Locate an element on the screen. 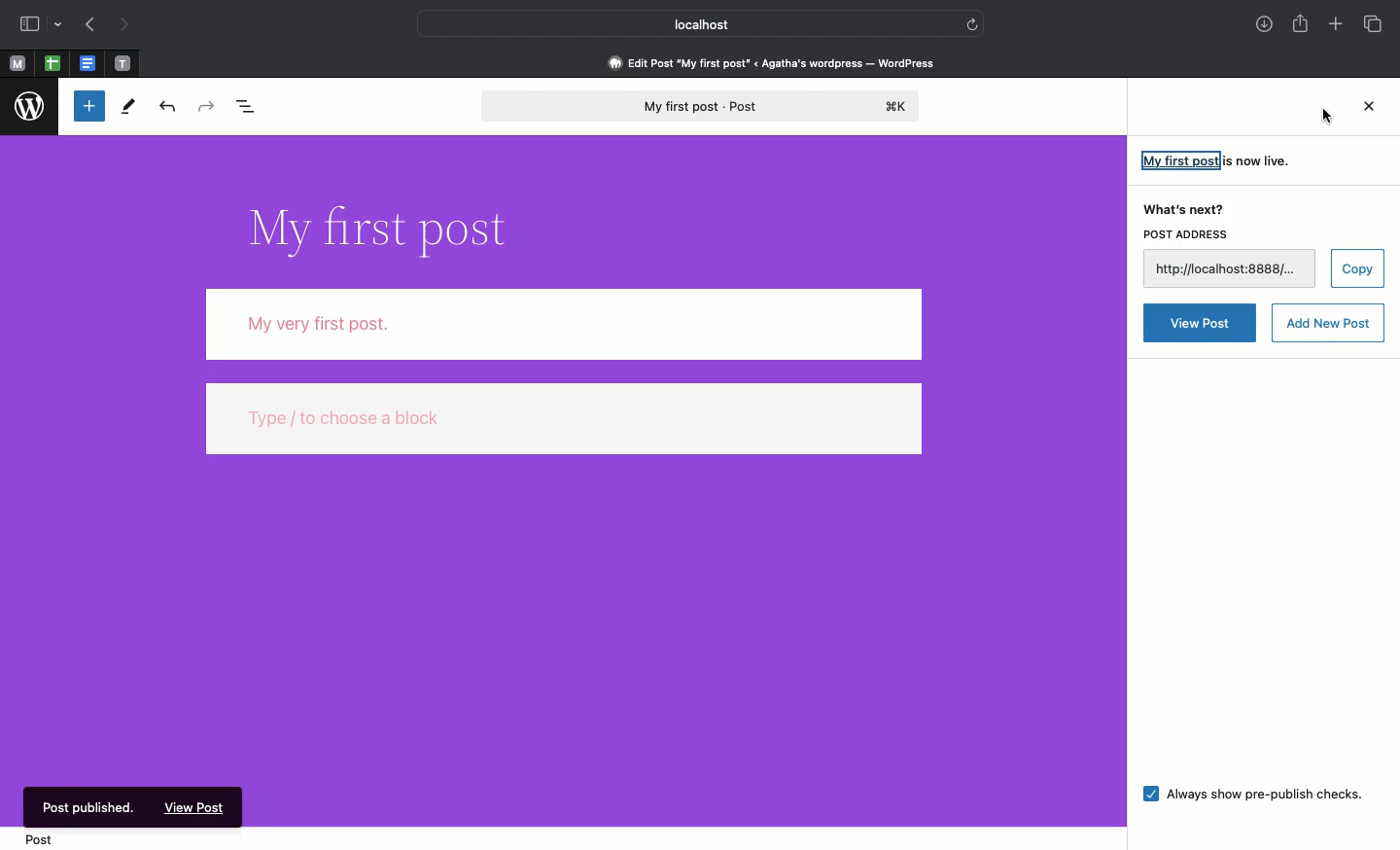 The image size is (1400, 850). pinned tabs is located at coordinates (87, 64).